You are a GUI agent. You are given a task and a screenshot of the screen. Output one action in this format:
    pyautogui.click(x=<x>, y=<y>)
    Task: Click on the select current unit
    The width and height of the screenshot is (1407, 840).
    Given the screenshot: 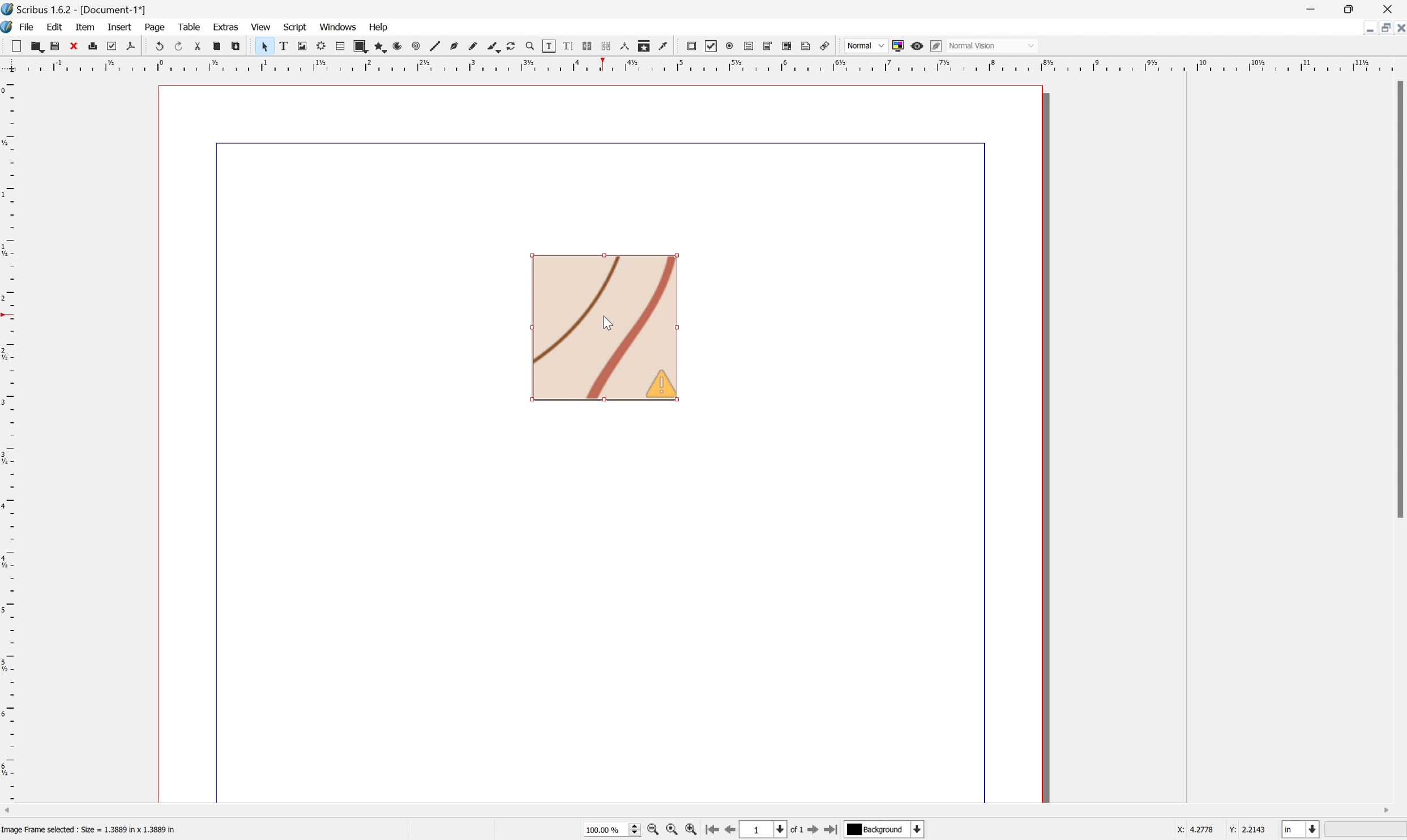 What is the action you would take?
    pyautogui.click(x=1302, y=829)
    